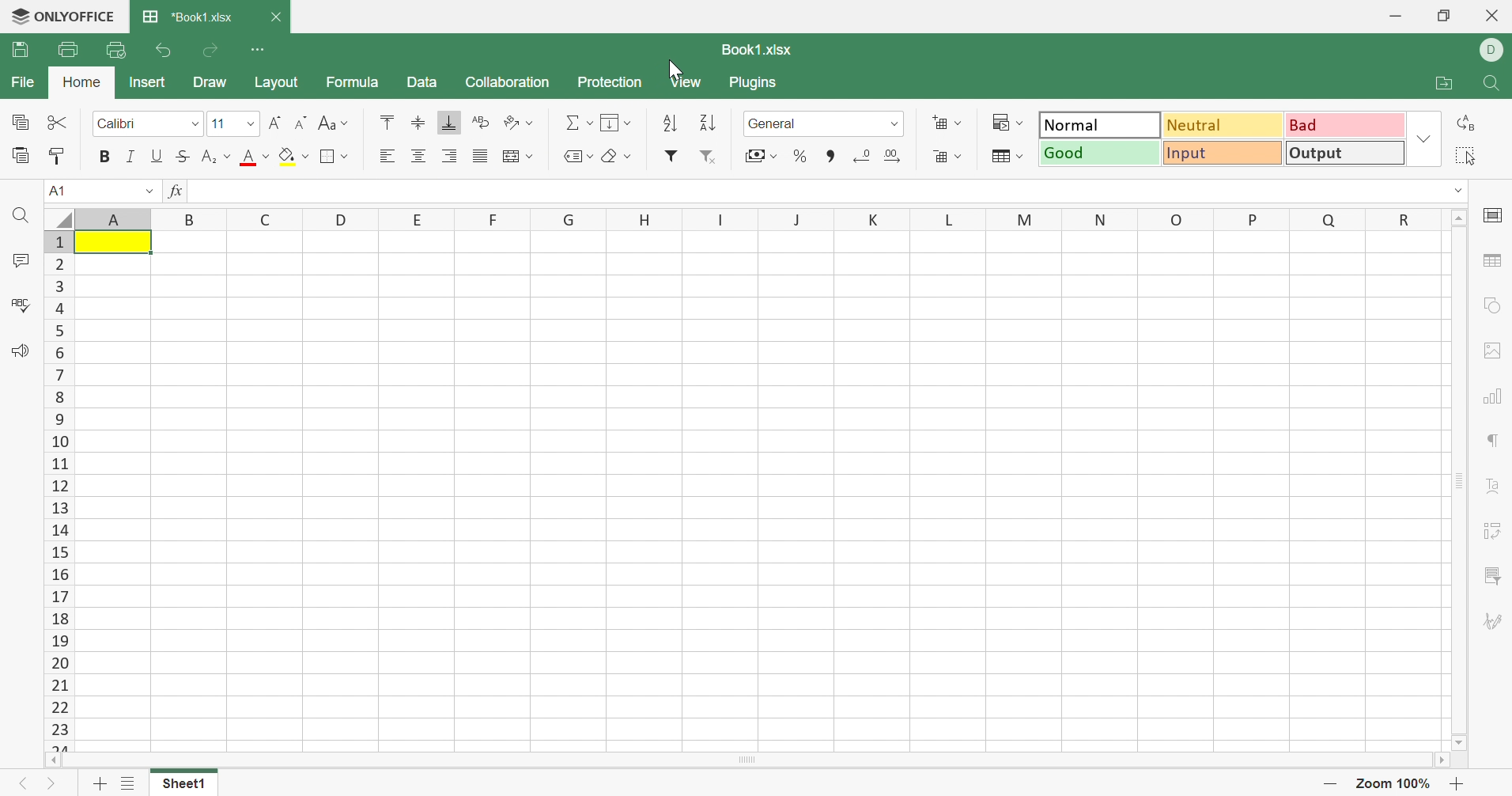 Image resolution: width=1512 pixels, height=796 pixels. I want to click on Descending order, so click(707, 119).